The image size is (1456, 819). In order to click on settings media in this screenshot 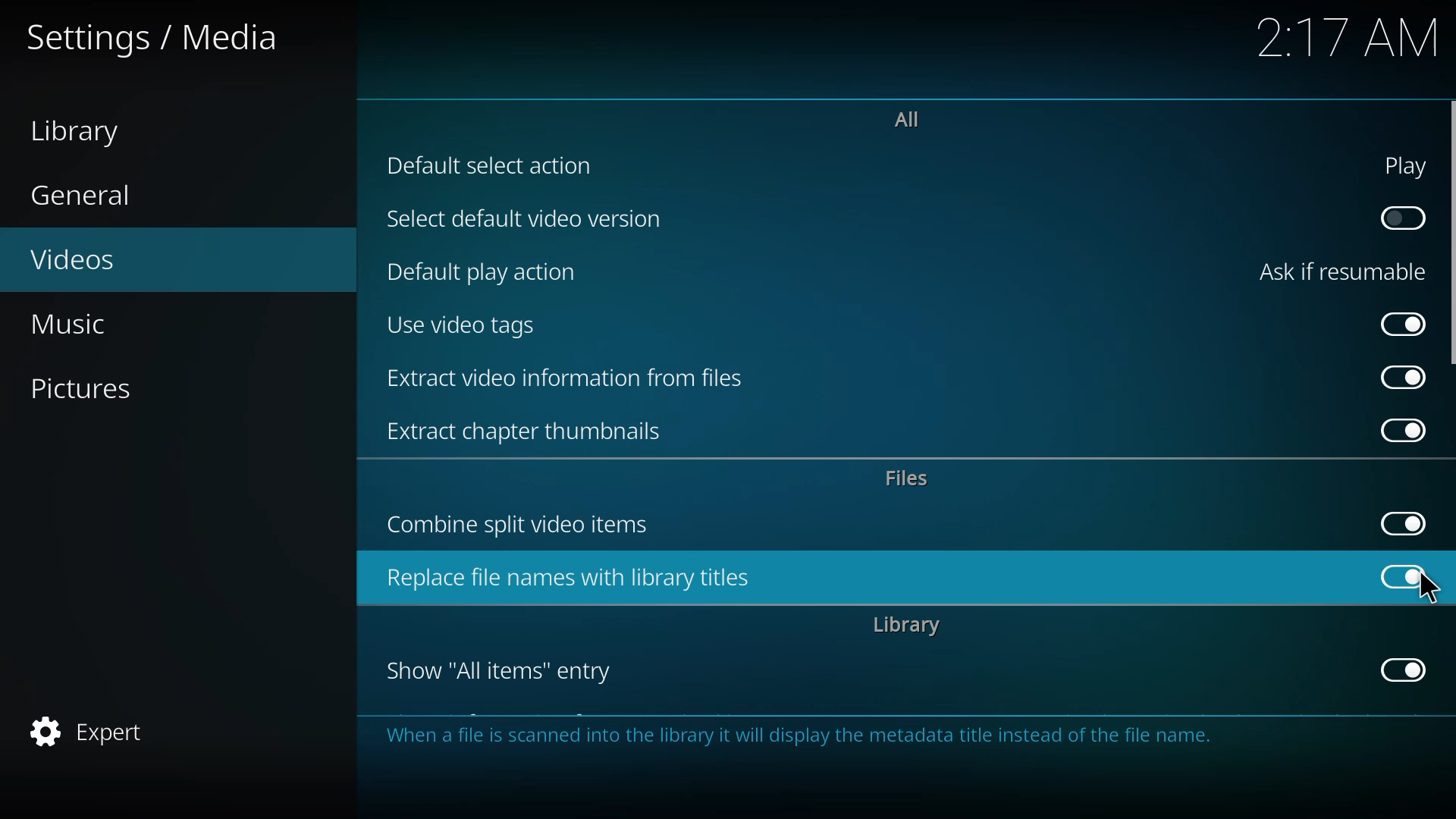, I will do `click(162, 39)`.